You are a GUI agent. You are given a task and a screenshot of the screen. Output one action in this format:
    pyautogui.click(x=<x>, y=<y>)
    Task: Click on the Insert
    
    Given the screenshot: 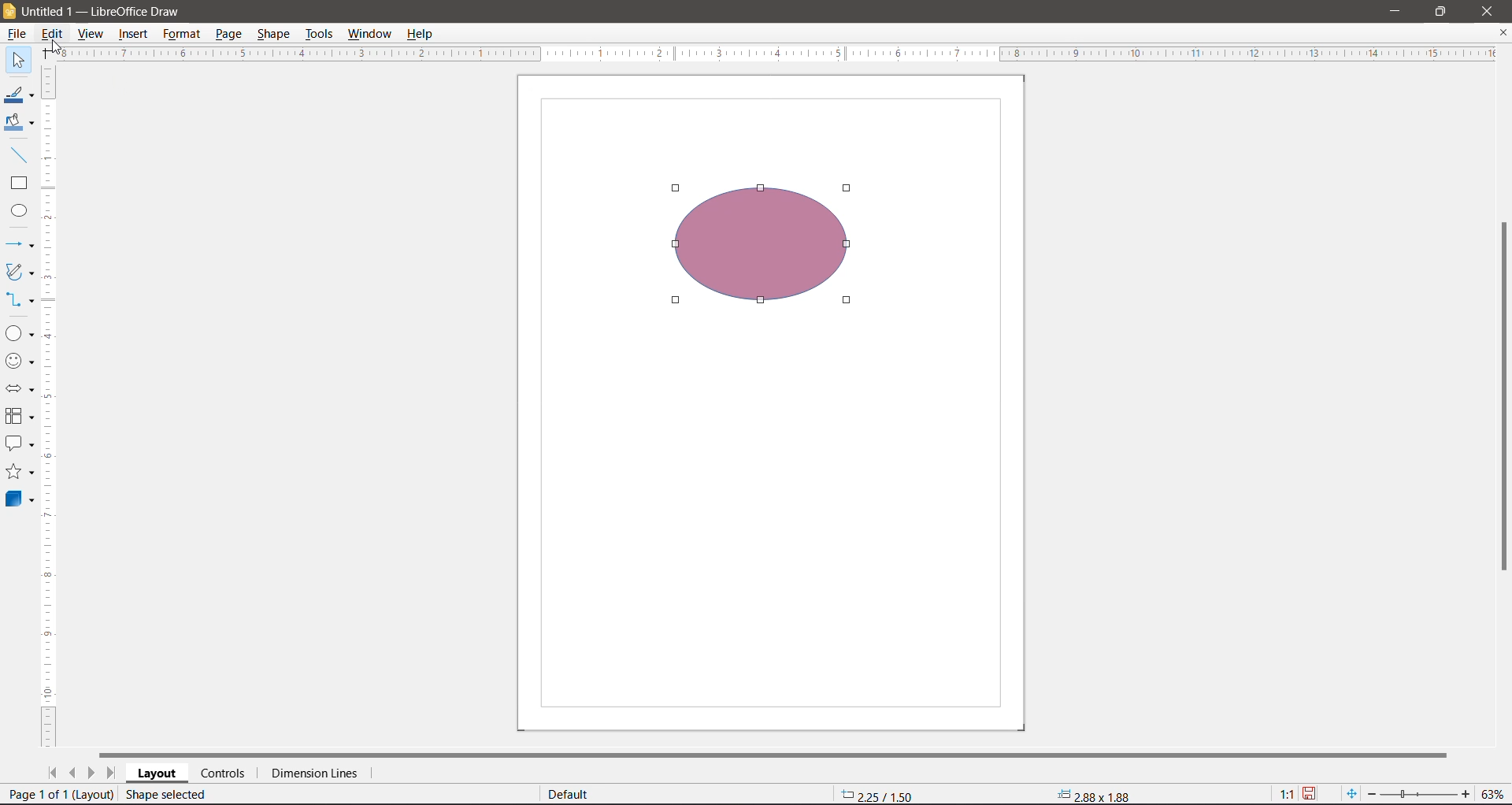 What is the action you would take?
    pyautogui.click(x=133, y=33)
    